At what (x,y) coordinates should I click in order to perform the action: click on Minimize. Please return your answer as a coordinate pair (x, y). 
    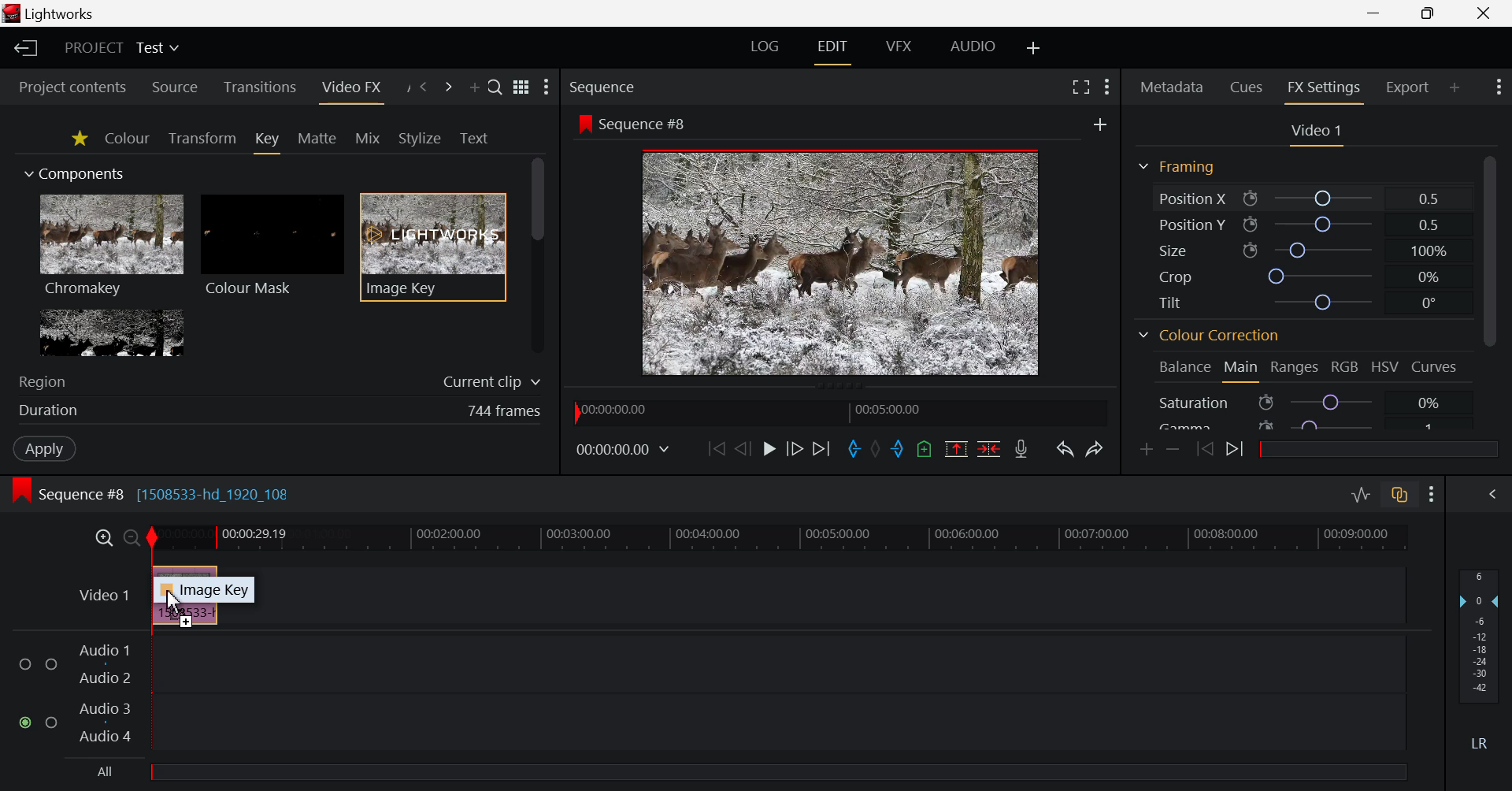
    Looking at the image, I should click on (1428, 13).